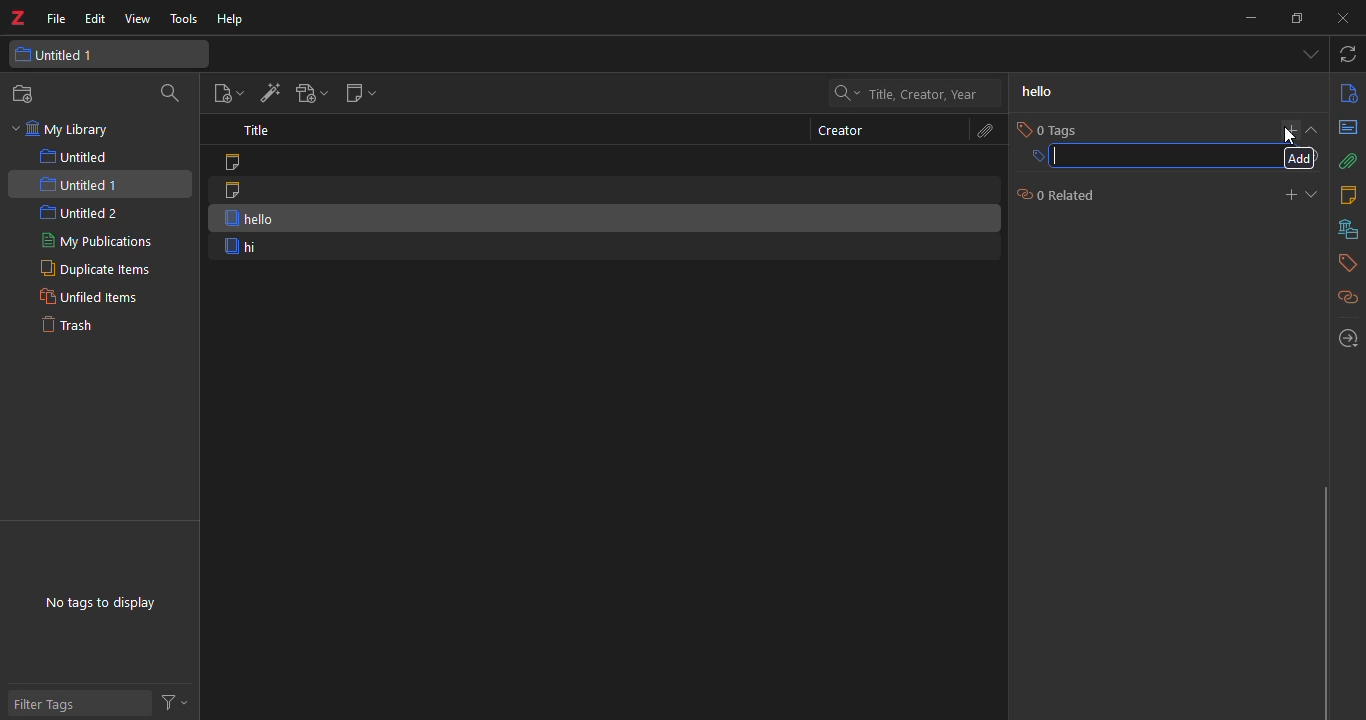 Image resolution: width=1366 pixels, height=720 pixels. I want to click on 0 tags, so click(1049, 129).